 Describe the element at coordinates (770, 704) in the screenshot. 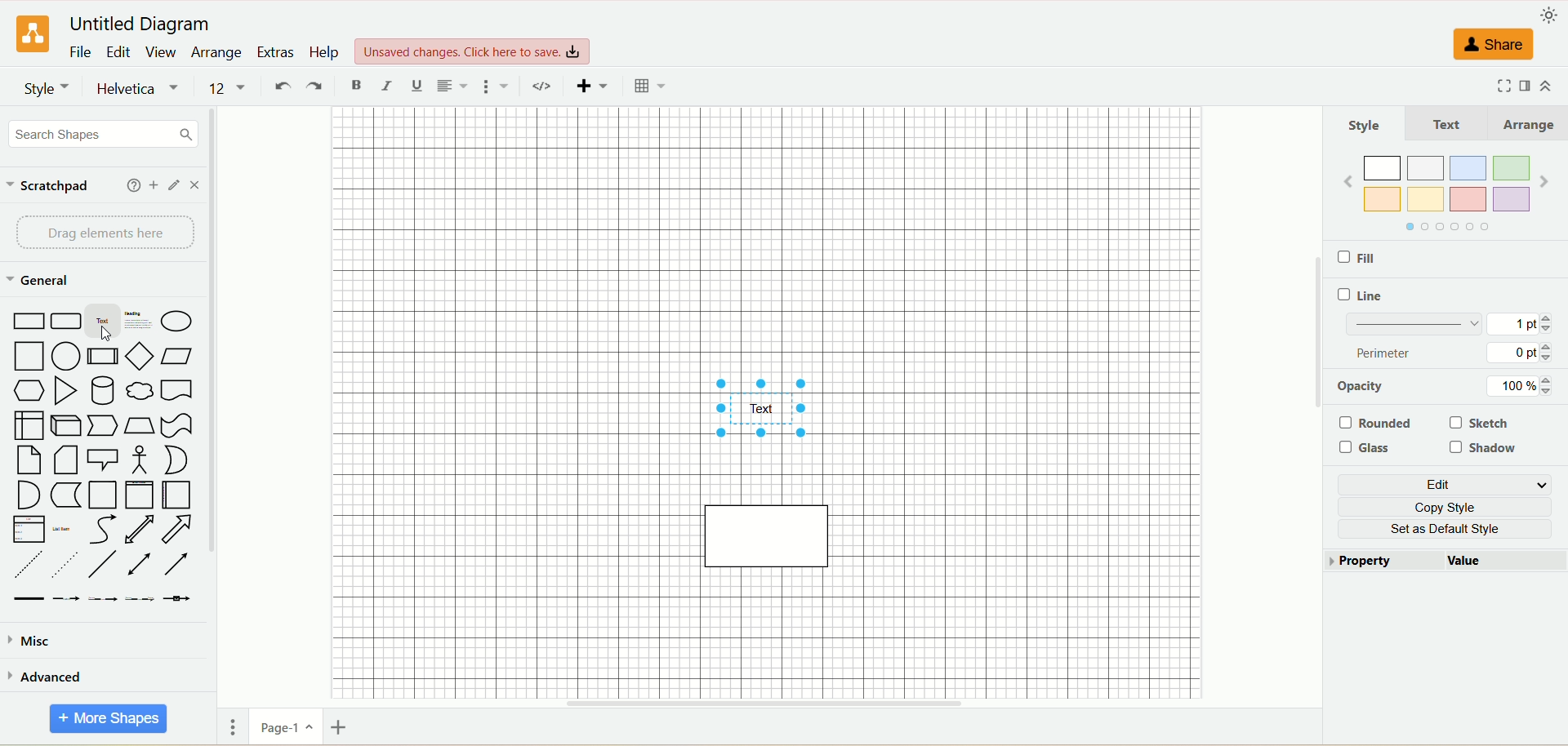

I see `horizontal scroll bar` at that location.